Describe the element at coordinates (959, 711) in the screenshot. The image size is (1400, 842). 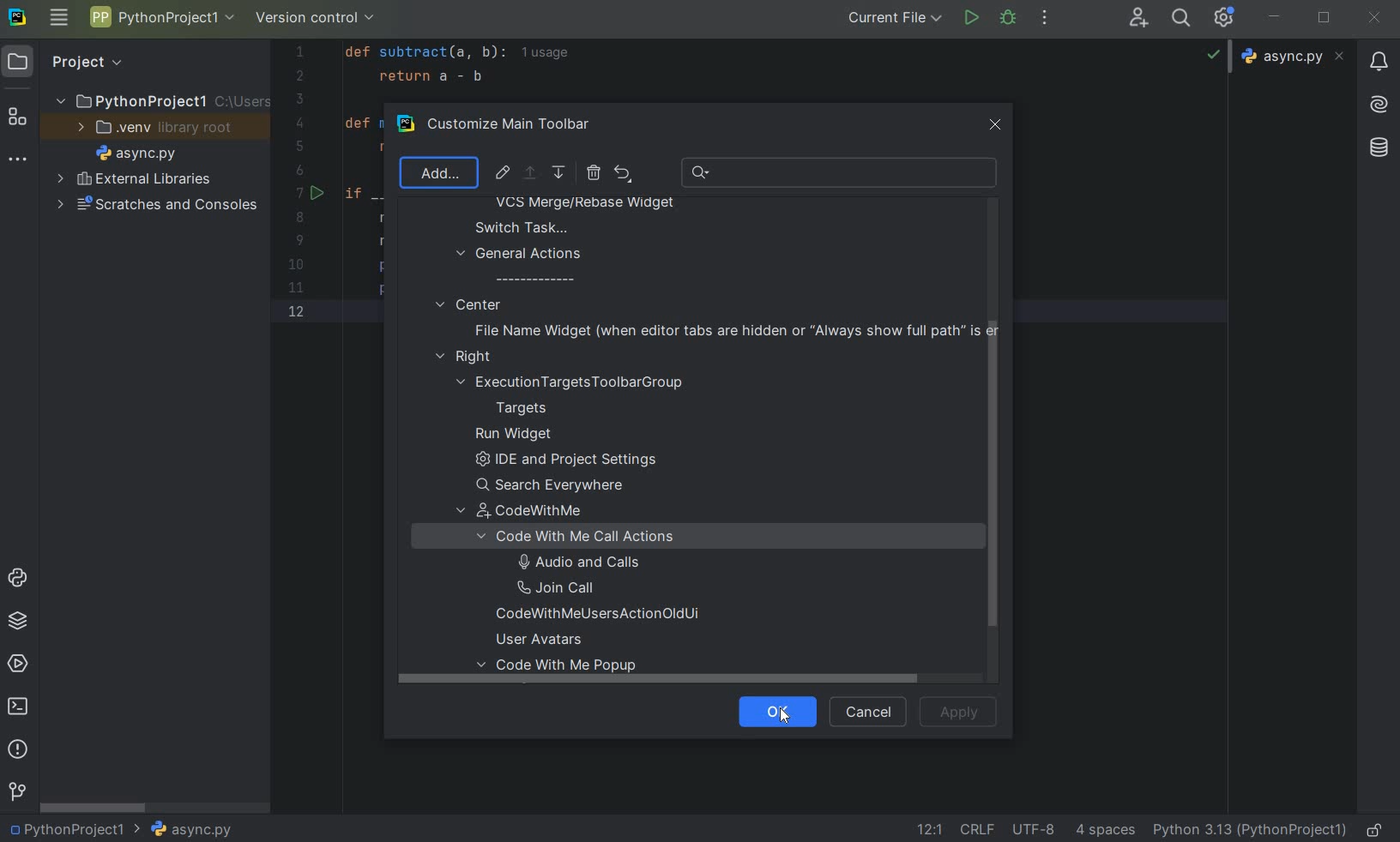
I see `apply` at that location.